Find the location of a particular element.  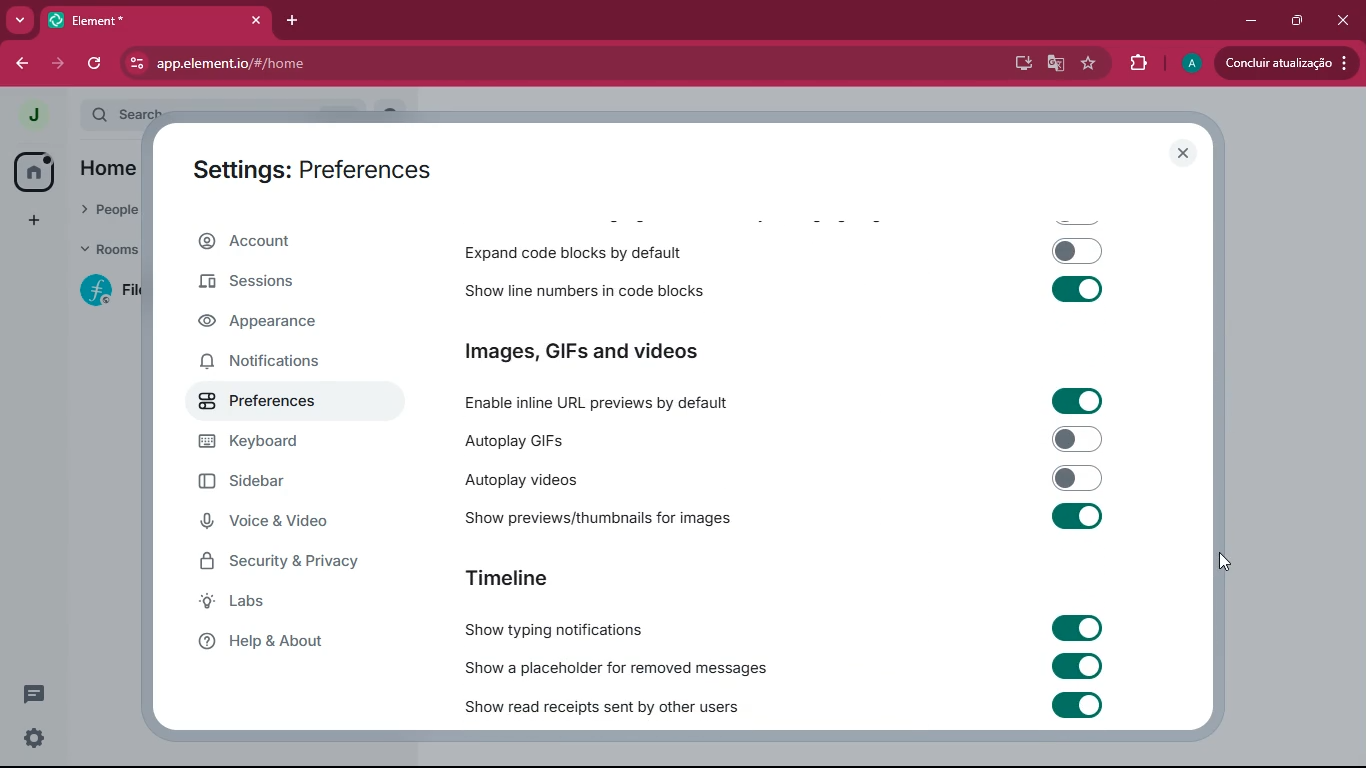

quick settings is located at coordinates (34, 737).